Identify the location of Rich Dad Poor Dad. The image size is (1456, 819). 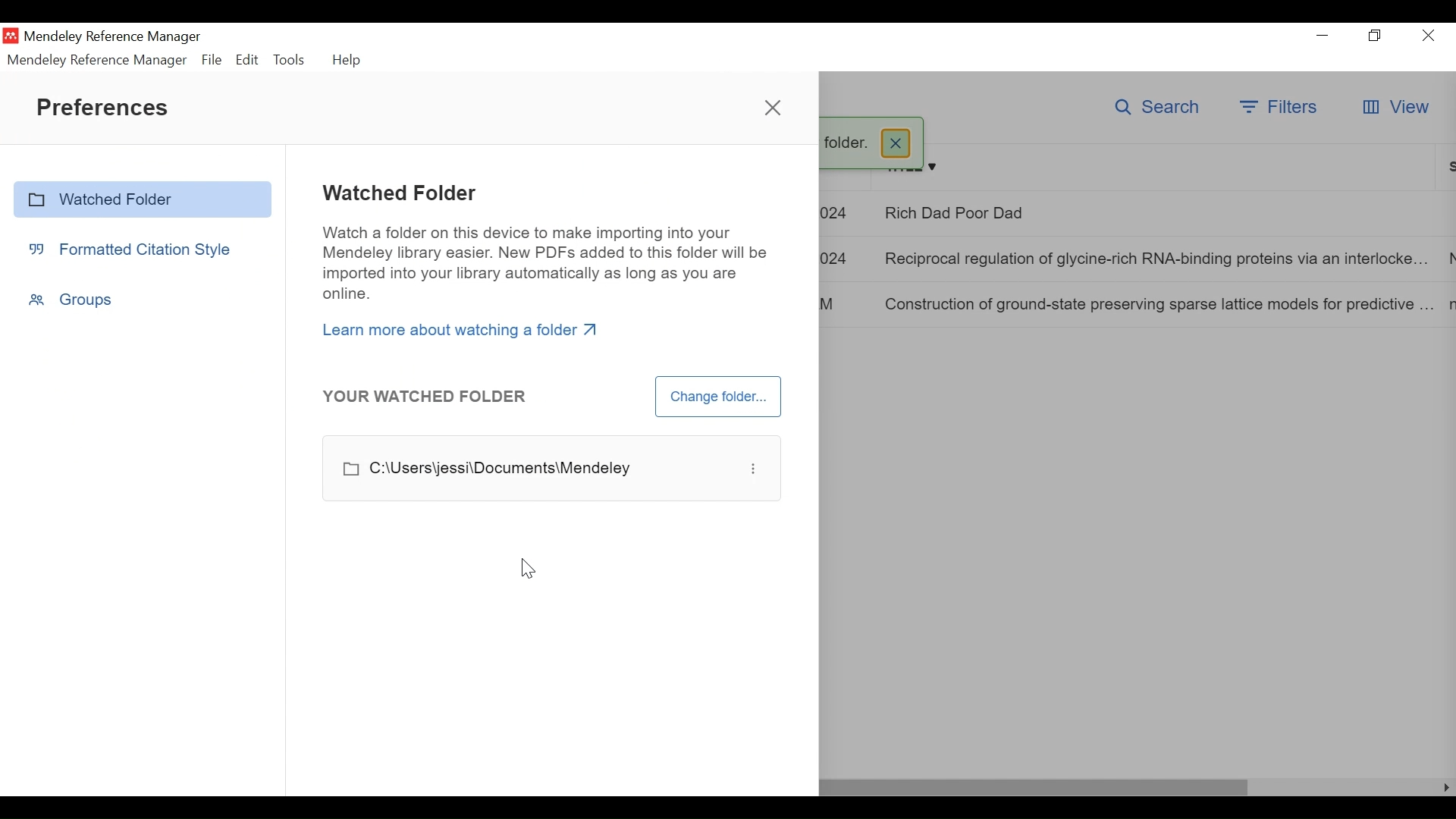
(1042, 215).